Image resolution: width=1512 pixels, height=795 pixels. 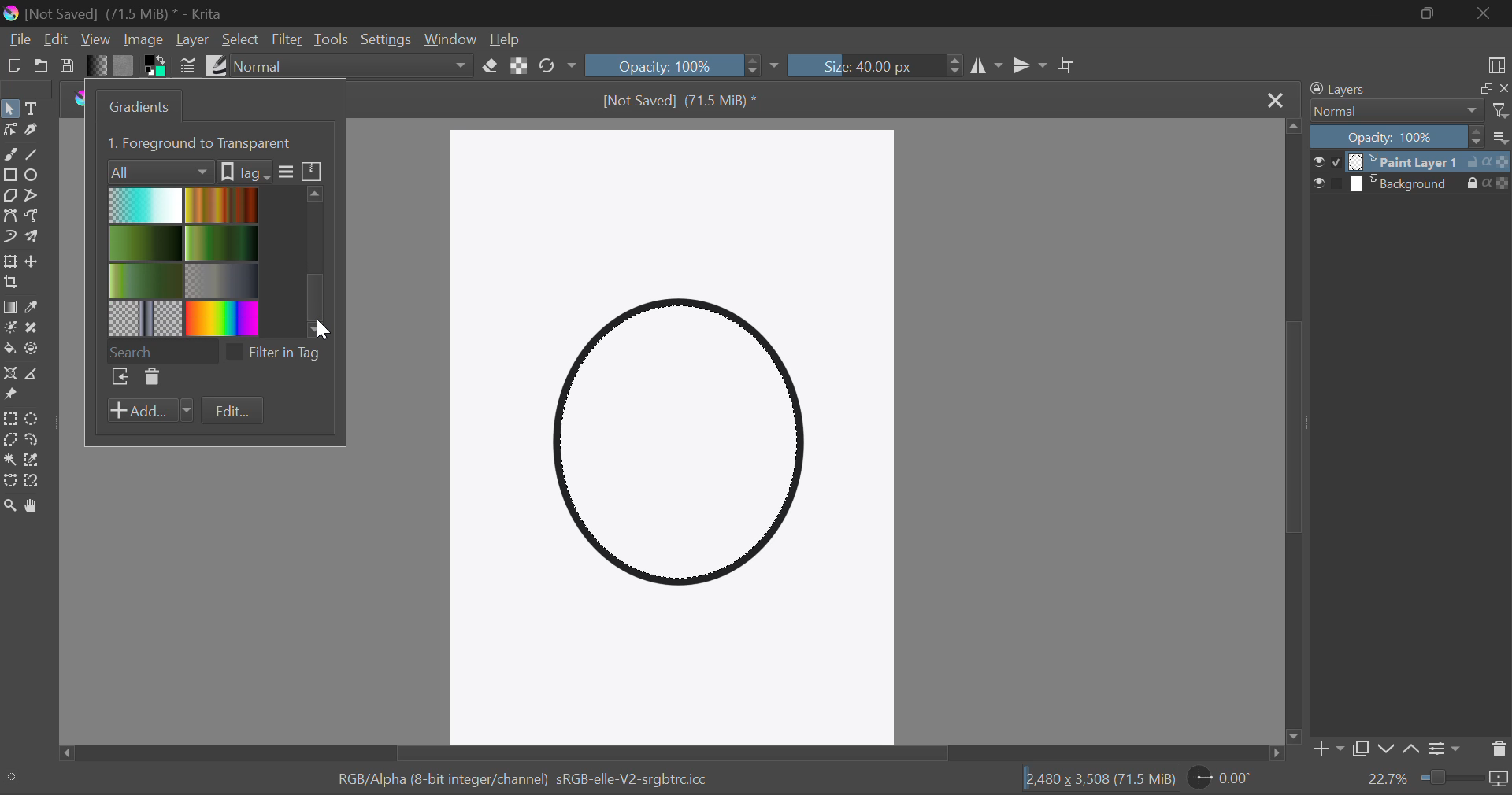 What do you see at coordinates (153, 378) in the screenshot?
I see `Delete` at bounding box center [153, 378].